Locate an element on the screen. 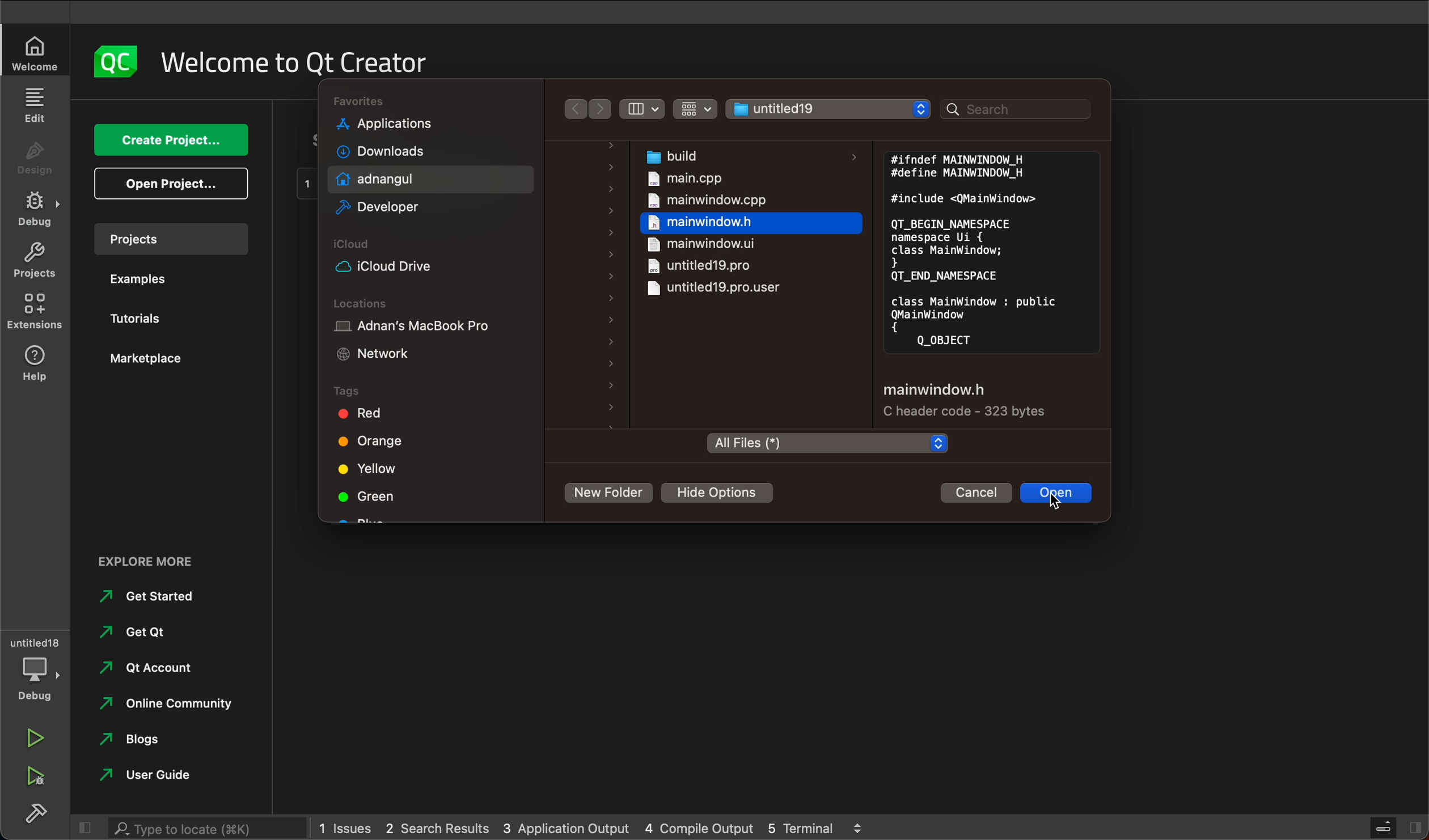 This screenshot has height=840, width=1429. cursor is located at coordinates (1055, 501).